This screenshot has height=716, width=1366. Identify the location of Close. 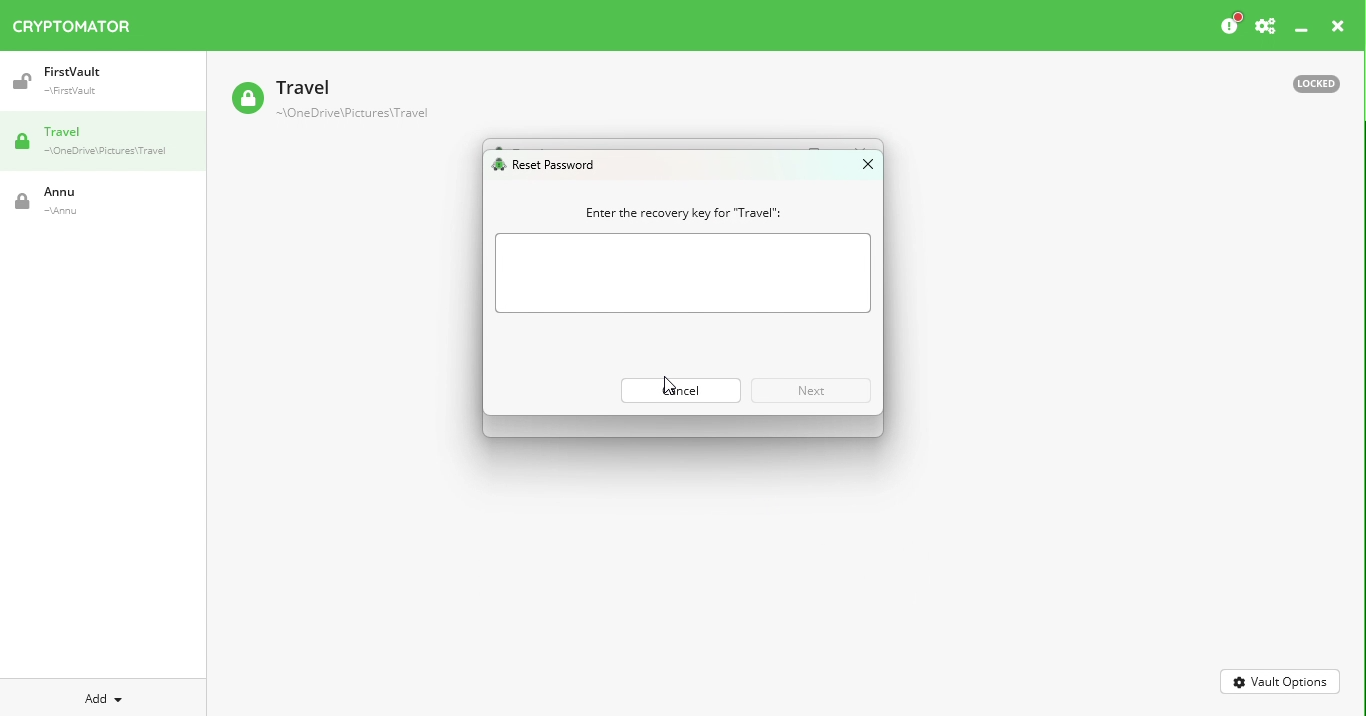
(1338, 29).